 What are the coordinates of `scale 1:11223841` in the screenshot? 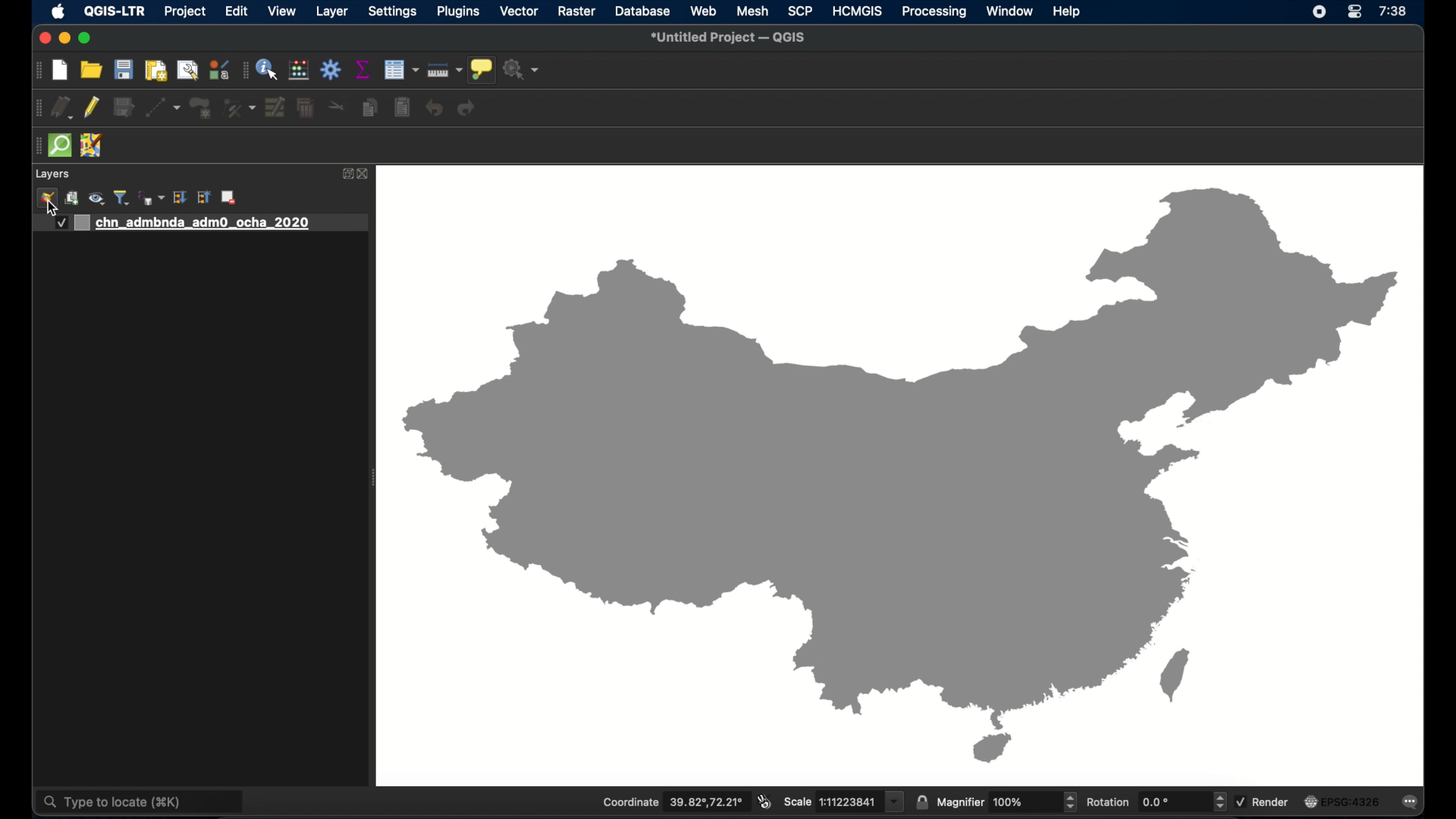 It's located at (842, 801).